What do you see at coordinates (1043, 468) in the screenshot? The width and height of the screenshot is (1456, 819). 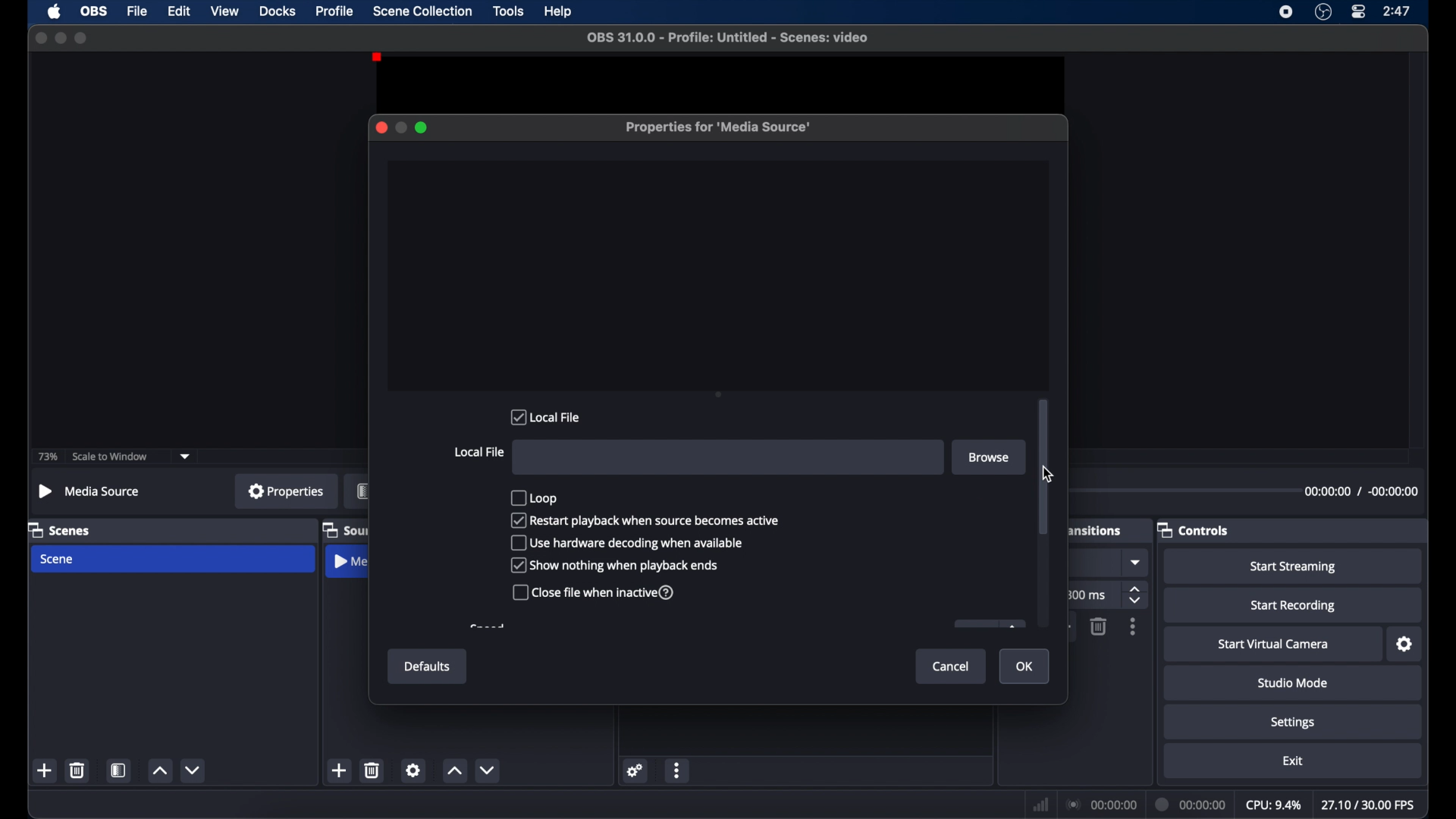 I see `scroll box` at bounding box center [1043, 468].